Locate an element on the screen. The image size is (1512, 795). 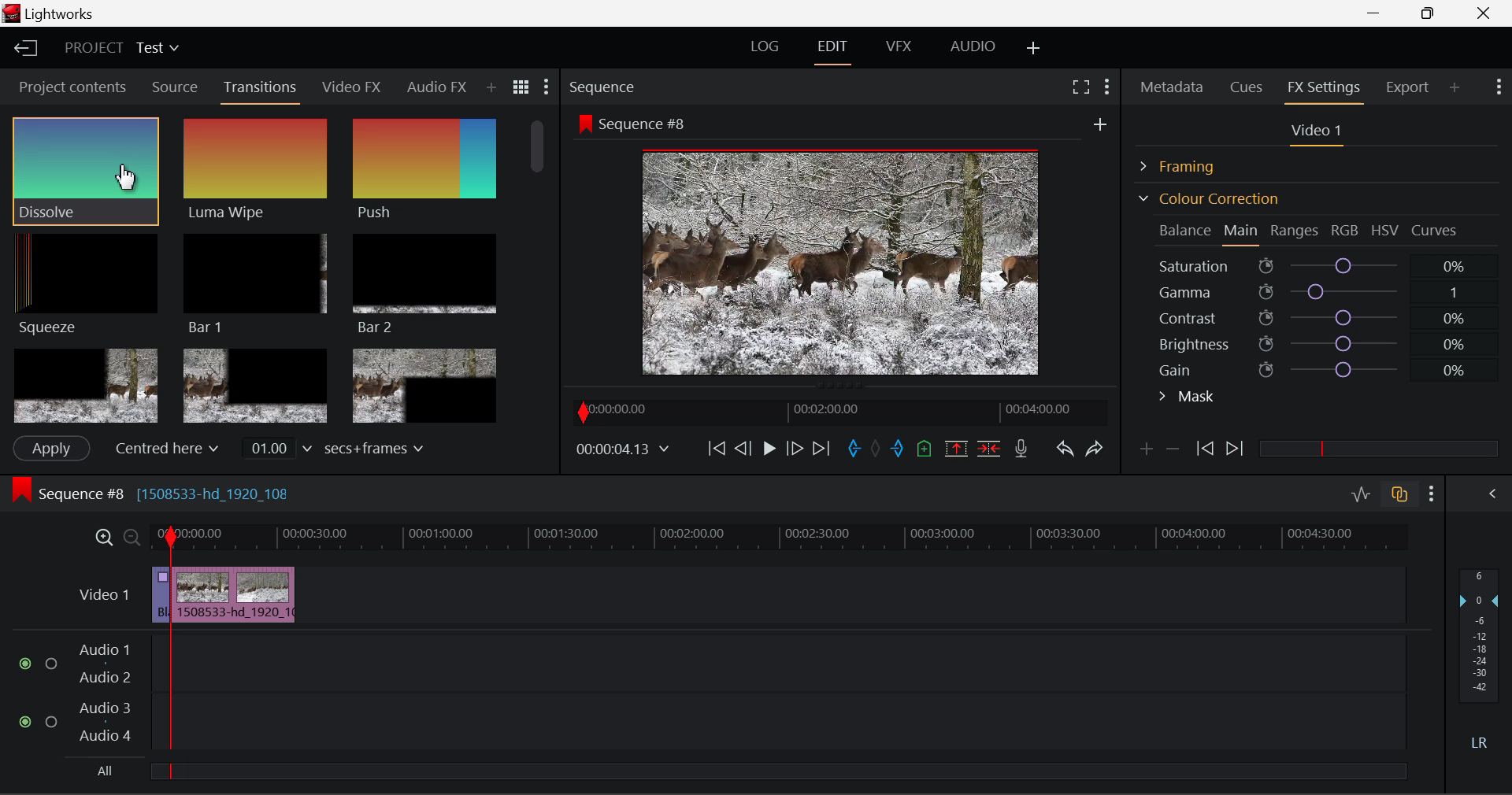
Remove All Marks is located at coordinates (877, 450).